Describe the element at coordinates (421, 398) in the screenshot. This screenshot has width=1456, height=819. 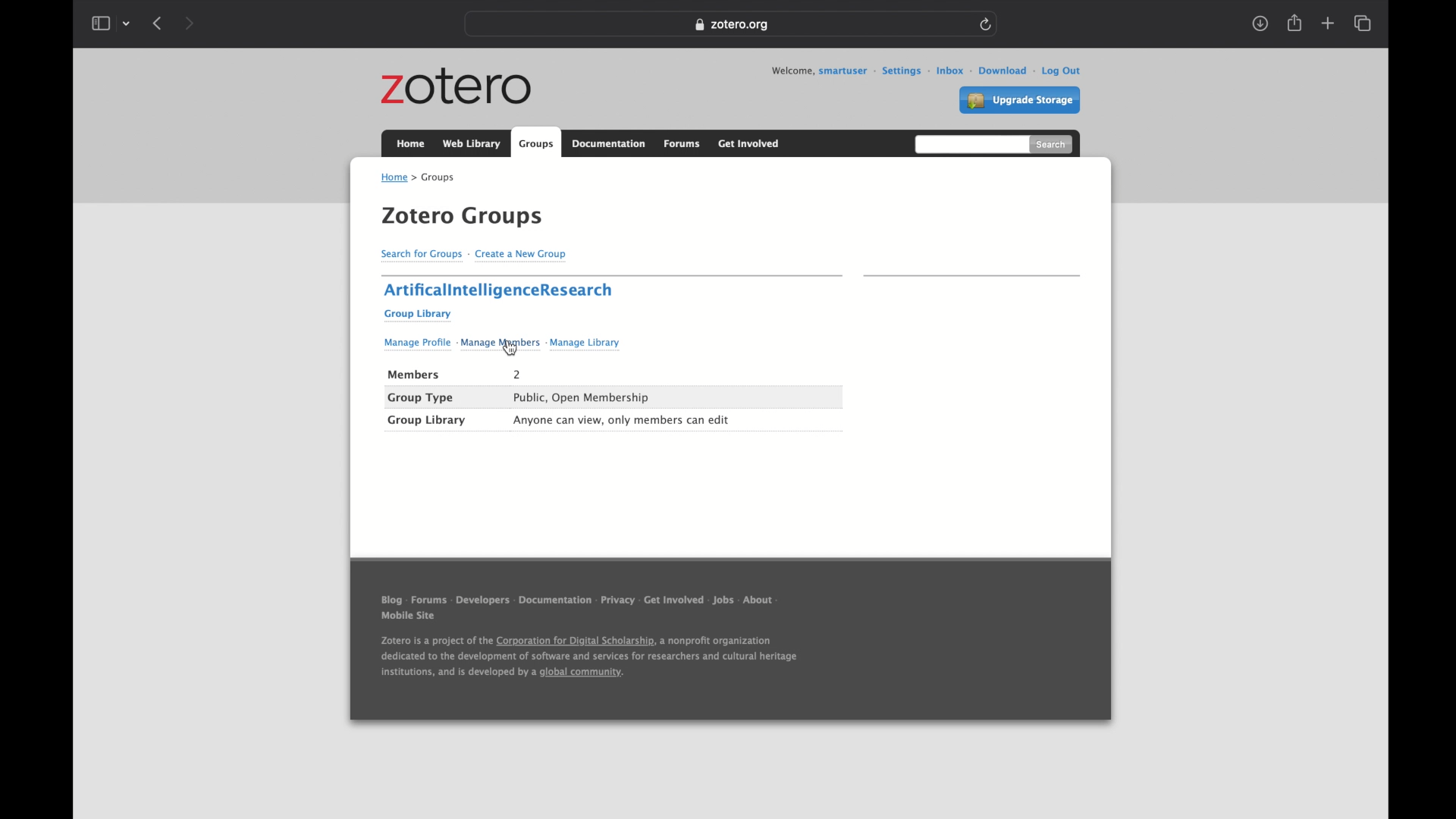
I see `group type` at that location.